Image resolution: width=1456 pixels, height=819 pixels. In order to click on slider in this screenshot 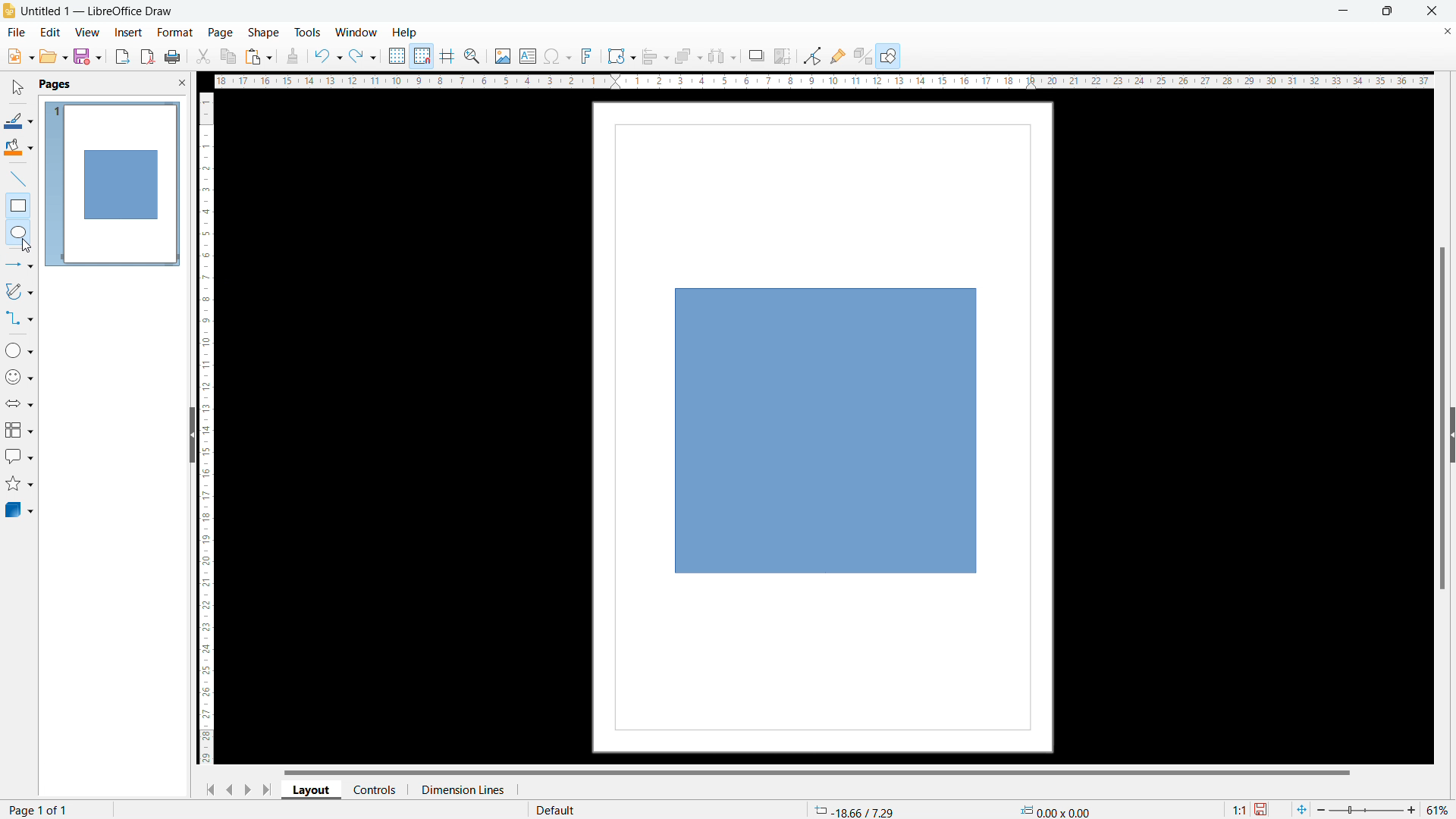, I will do `click(1365, 810)`.